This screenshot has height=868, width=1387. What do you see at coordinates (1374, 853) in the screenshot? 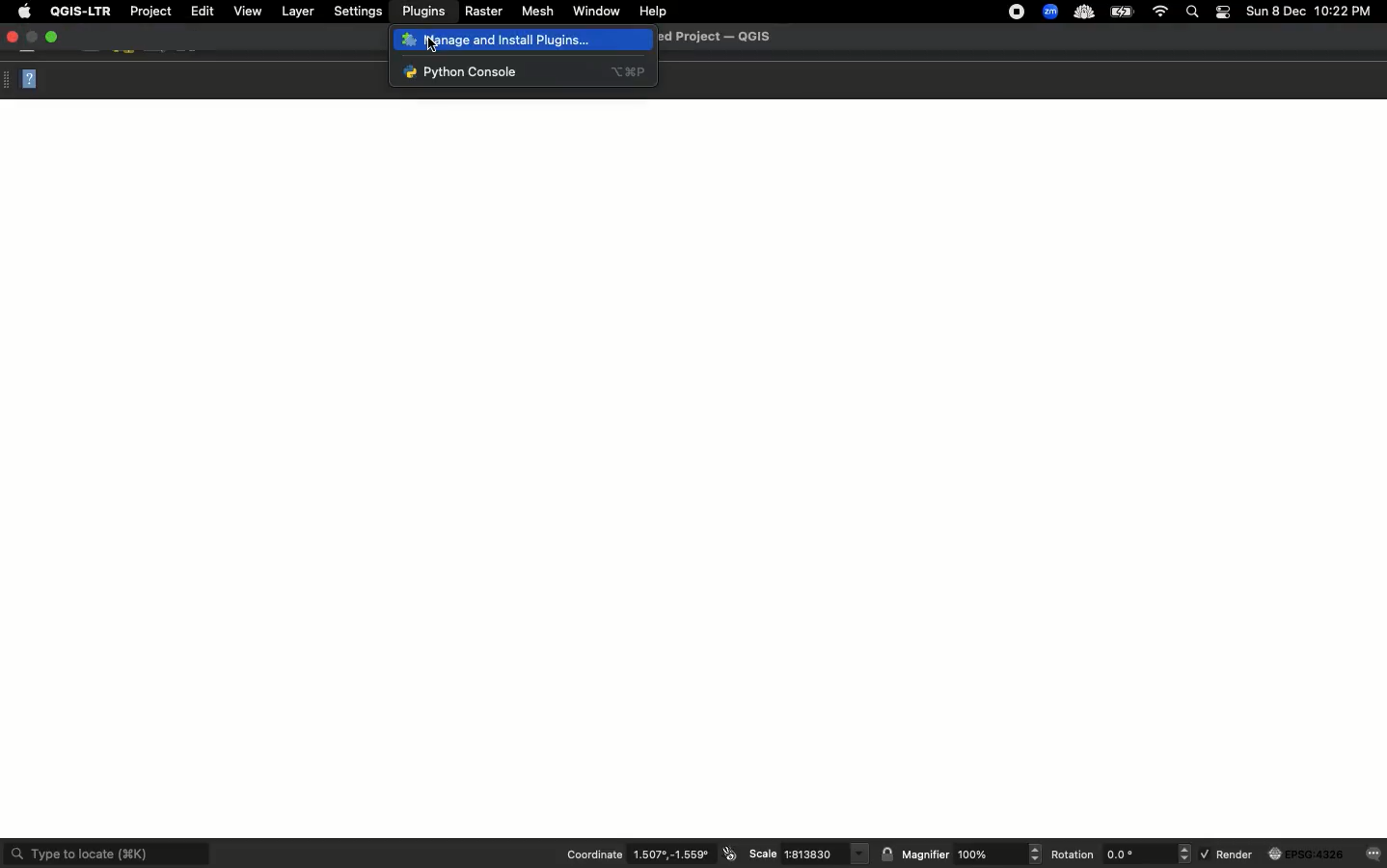
I see `messages` at bounding box center [1374, 853].